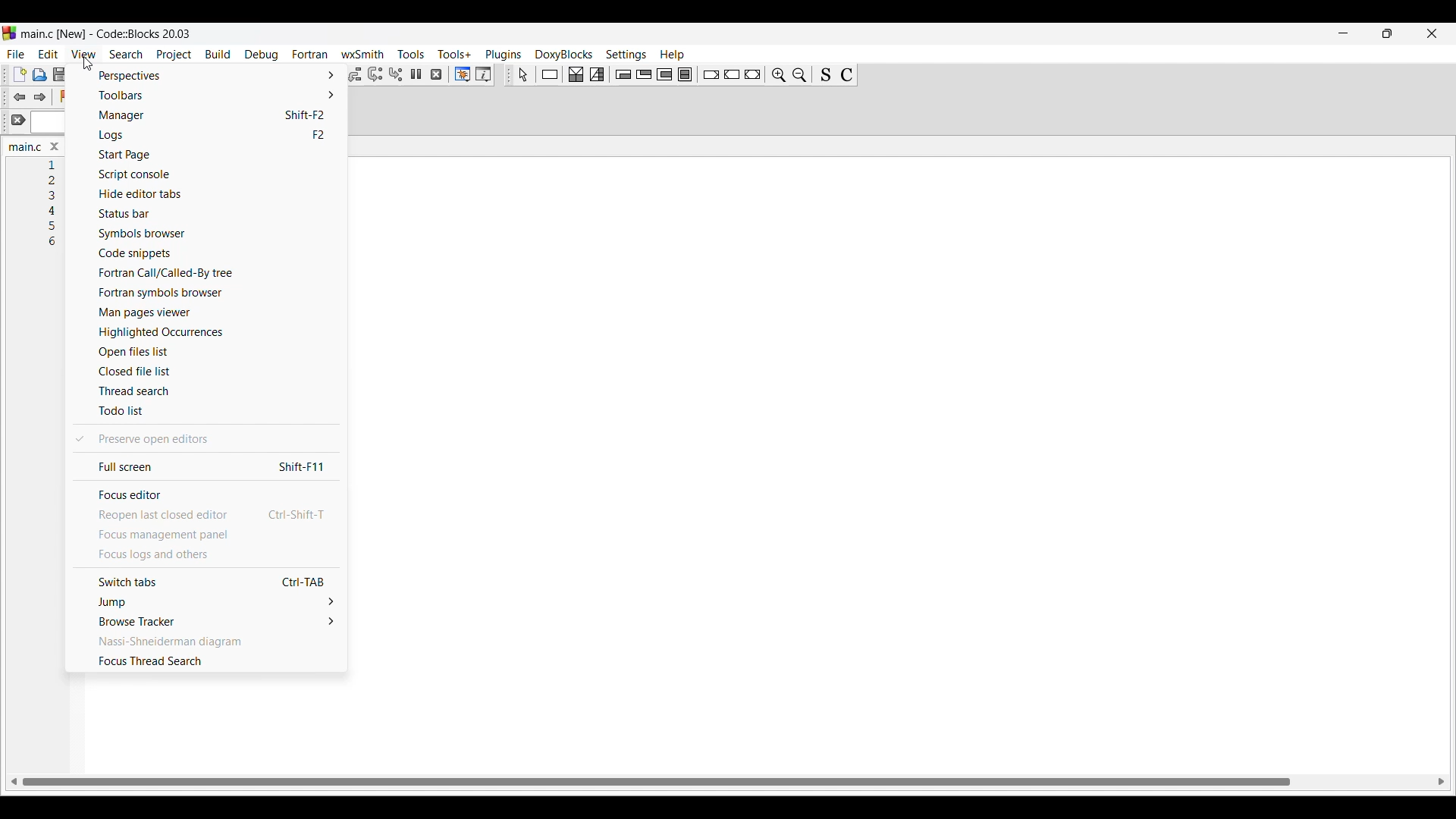  What do you see at coordinates (1432, 33) in the screenshot?
I see `Close interface` at bounding box center [1432, 33].